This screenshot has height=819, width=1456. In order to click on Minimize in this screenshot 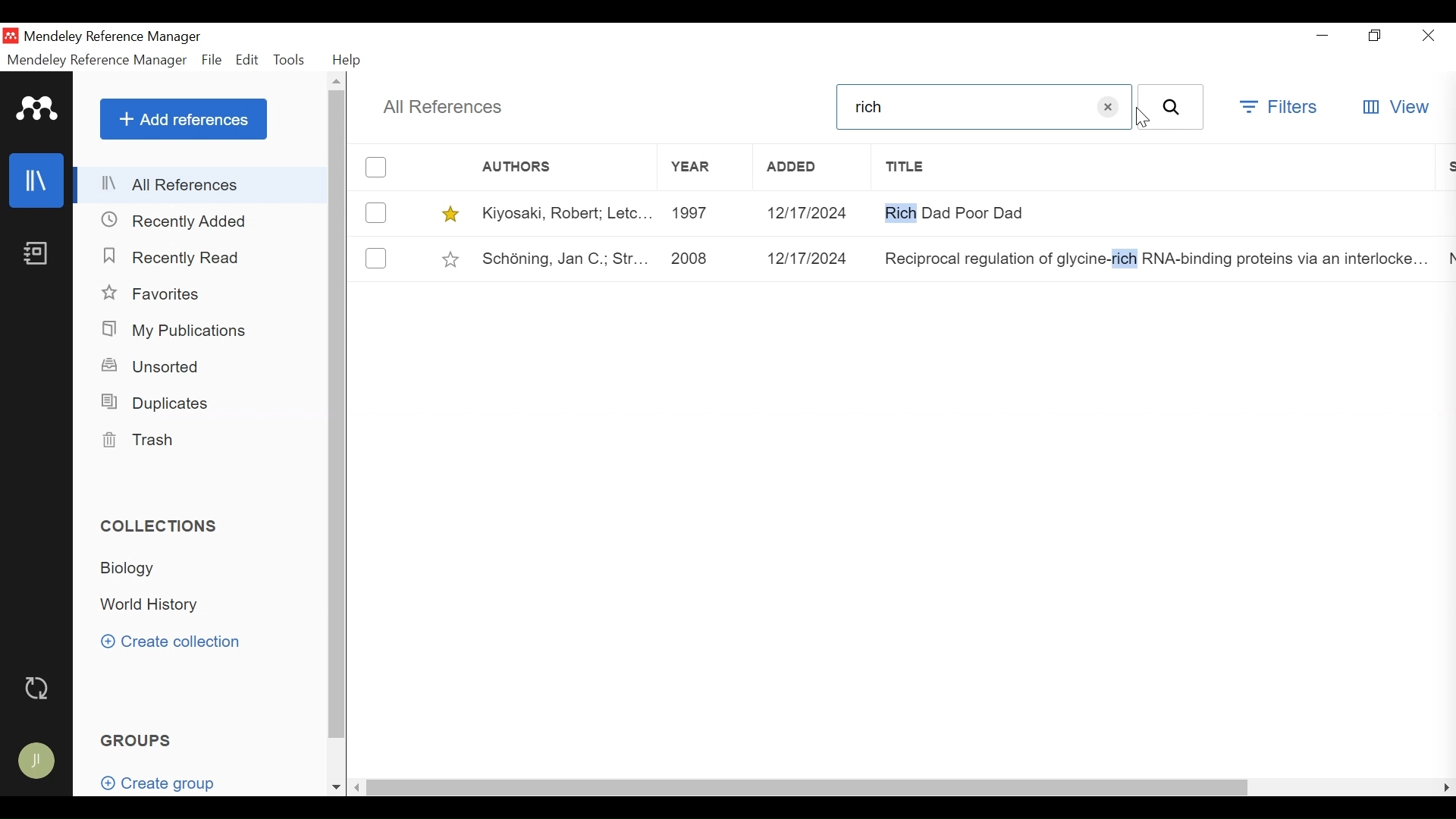, I will do `click(1326, 36)`.